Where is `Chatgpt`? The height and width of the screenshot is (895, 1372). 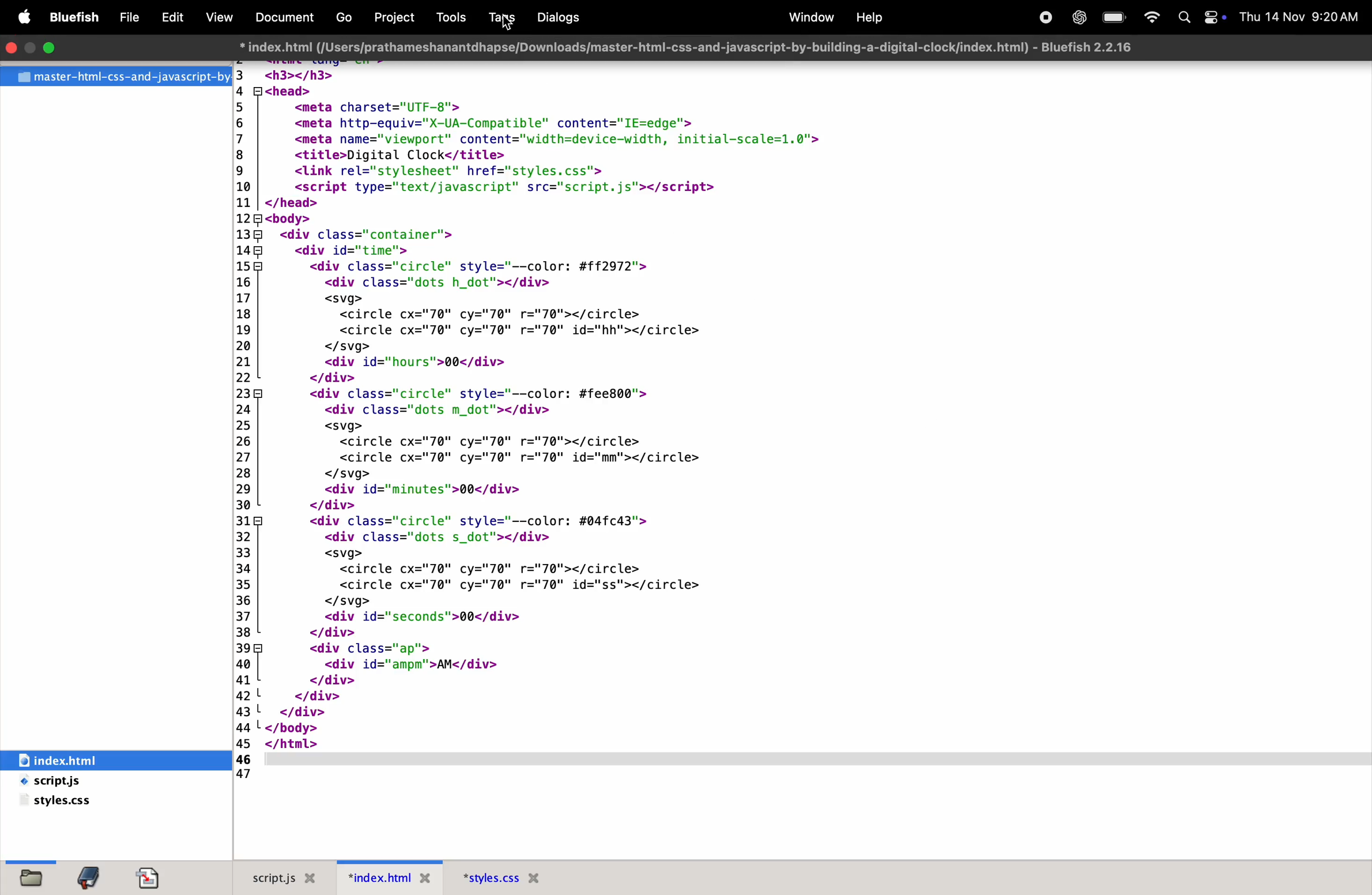
Chatgpt is located at coordinates (1076, 18).